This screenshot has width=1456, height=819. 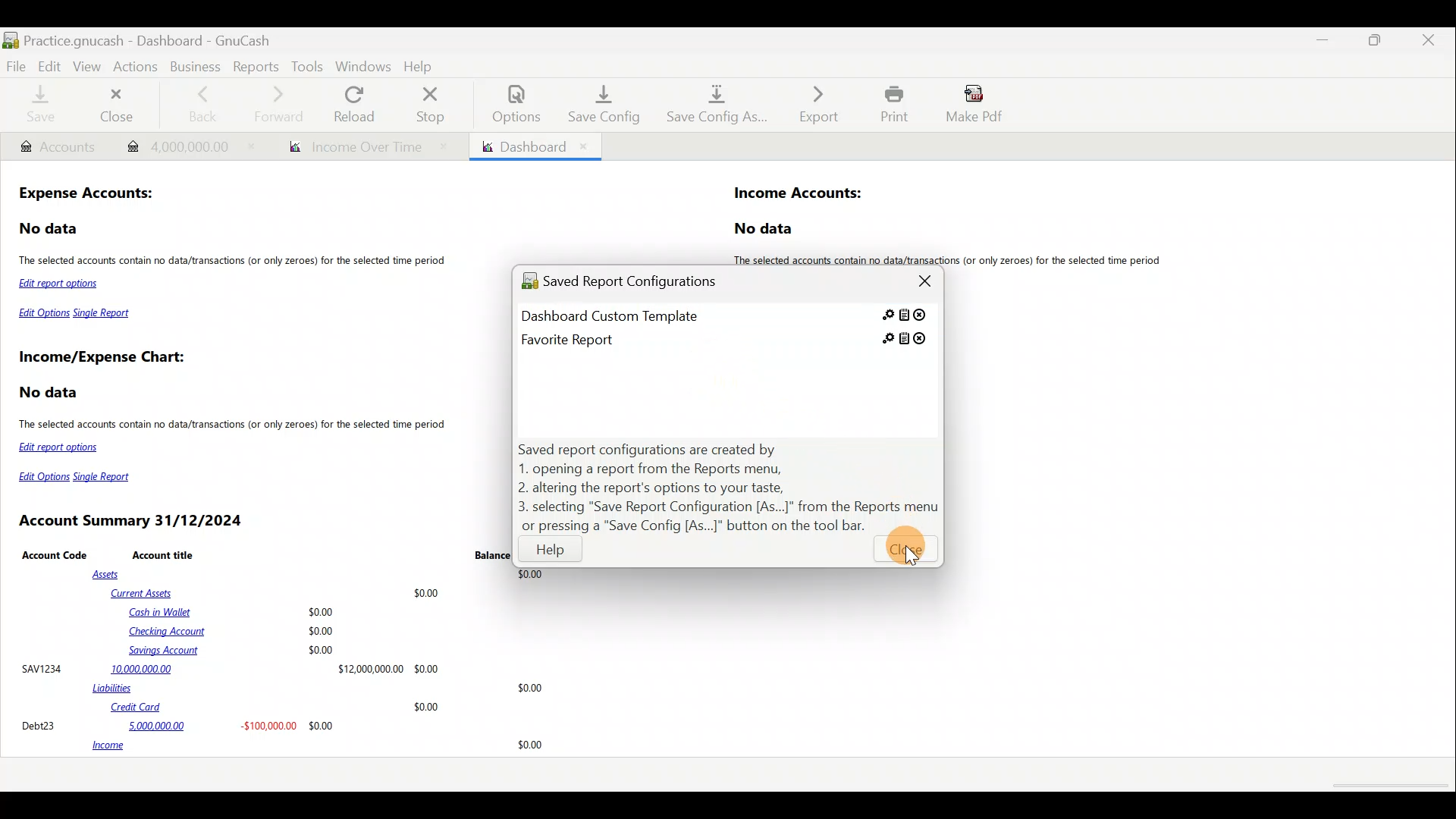 What do you see at coordinates (57, 147) in the screenshot?
I see `Account` at bounding box center [57, 147].